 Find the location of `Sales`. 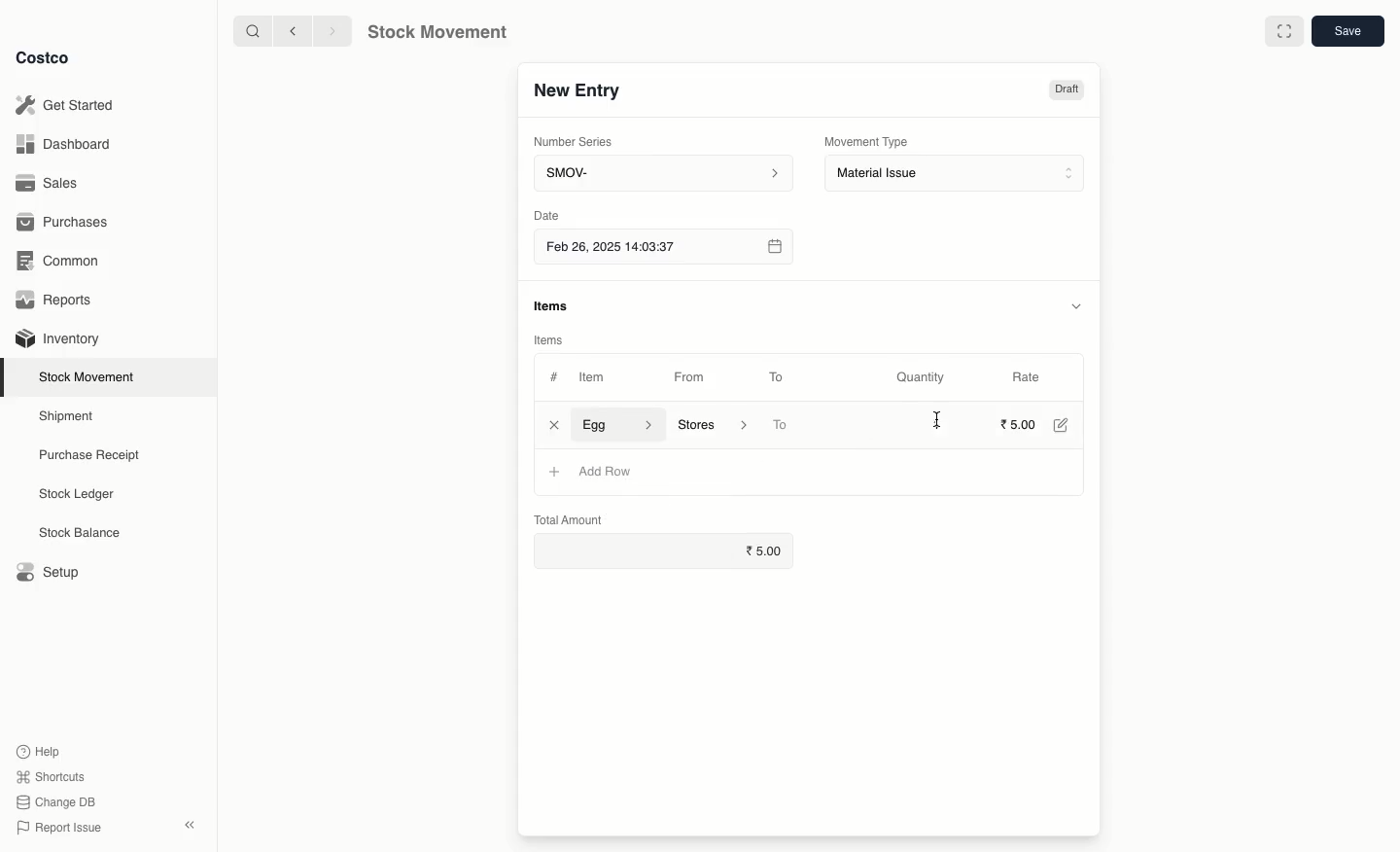

Sales is located at coordinates (50, 182).